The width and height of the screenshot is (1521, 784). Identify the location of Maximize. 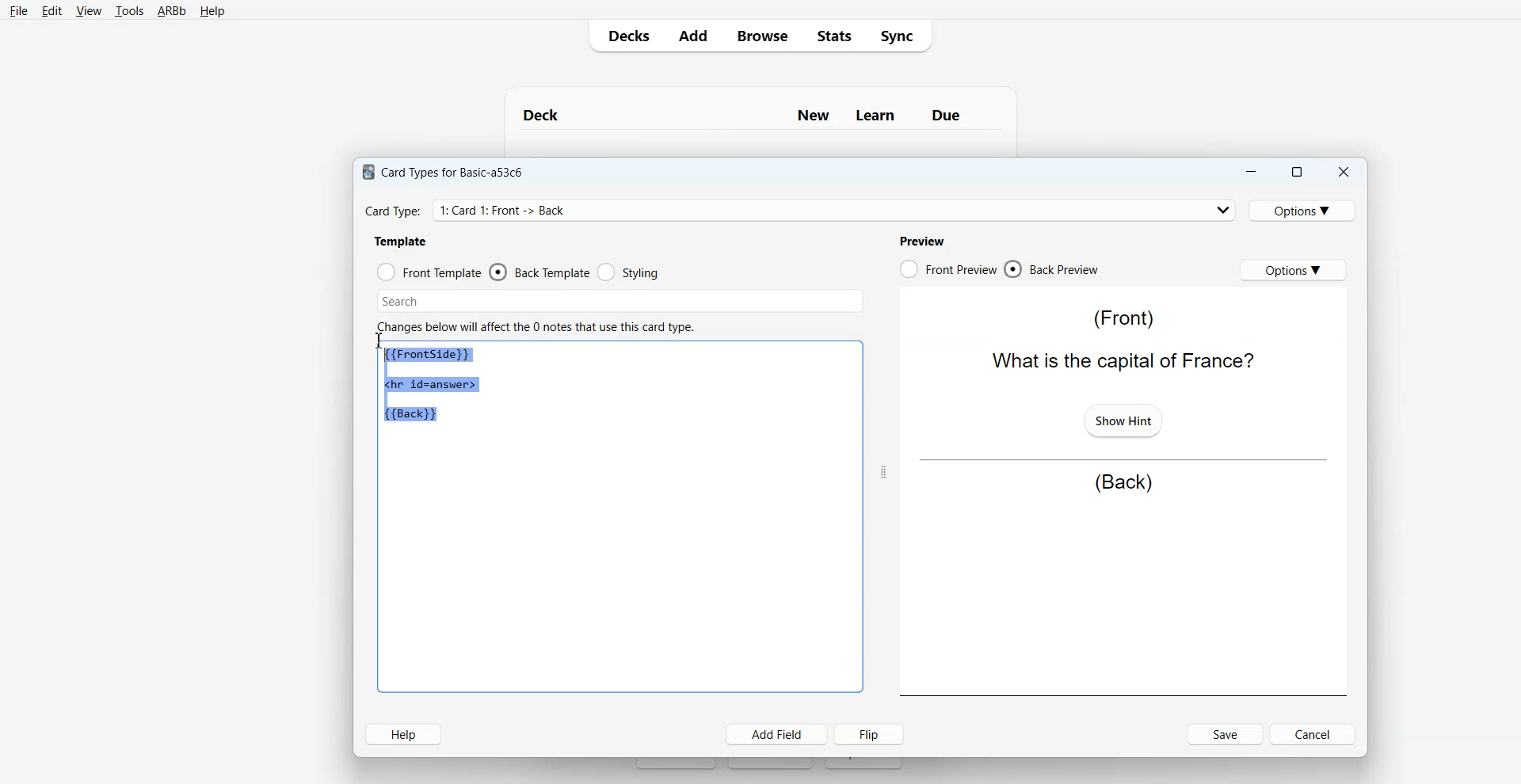
(1295, 172).